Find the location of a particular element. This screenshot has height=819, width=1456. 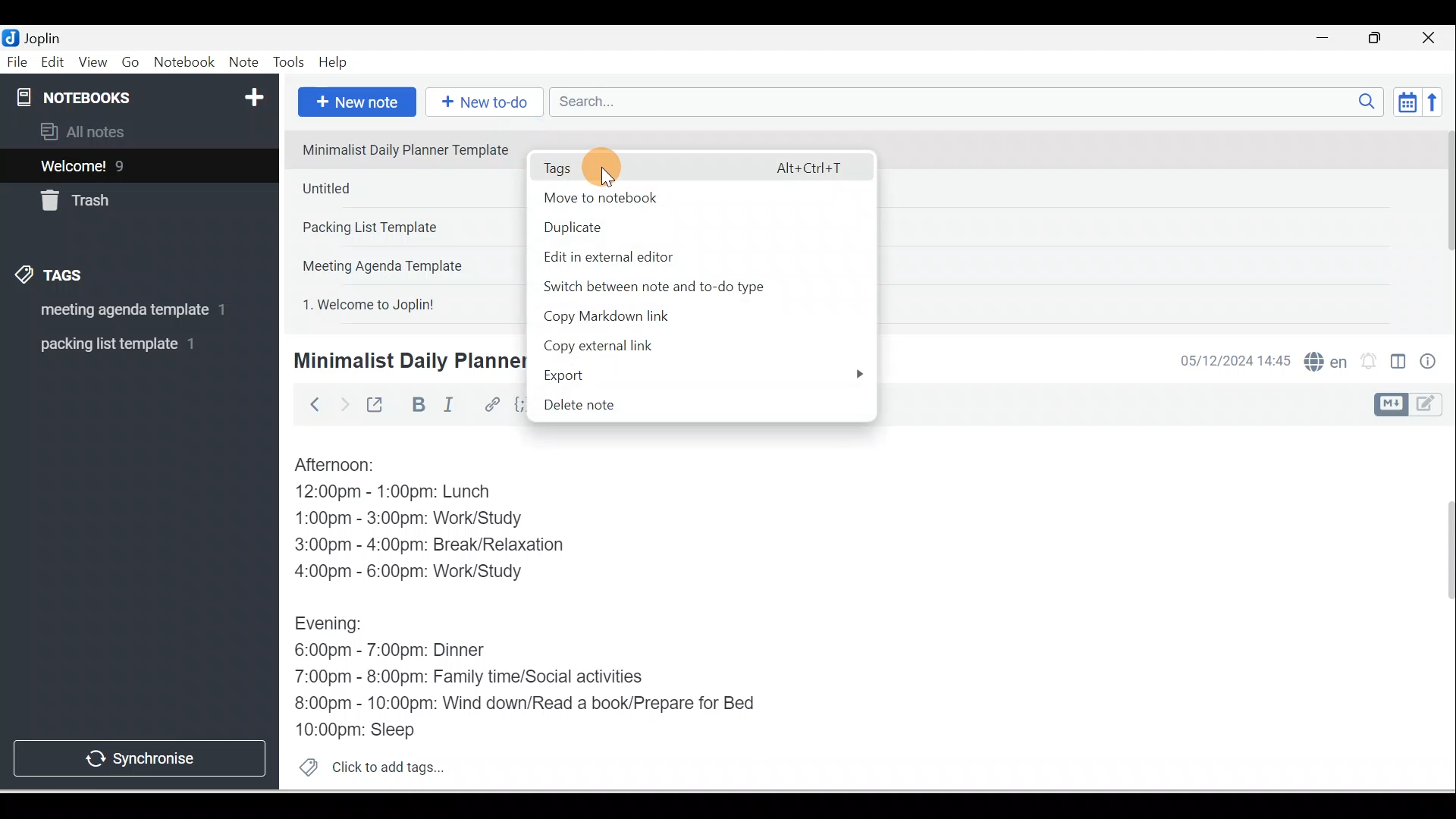

Scroll bar is located at coordinates (1444, 224).